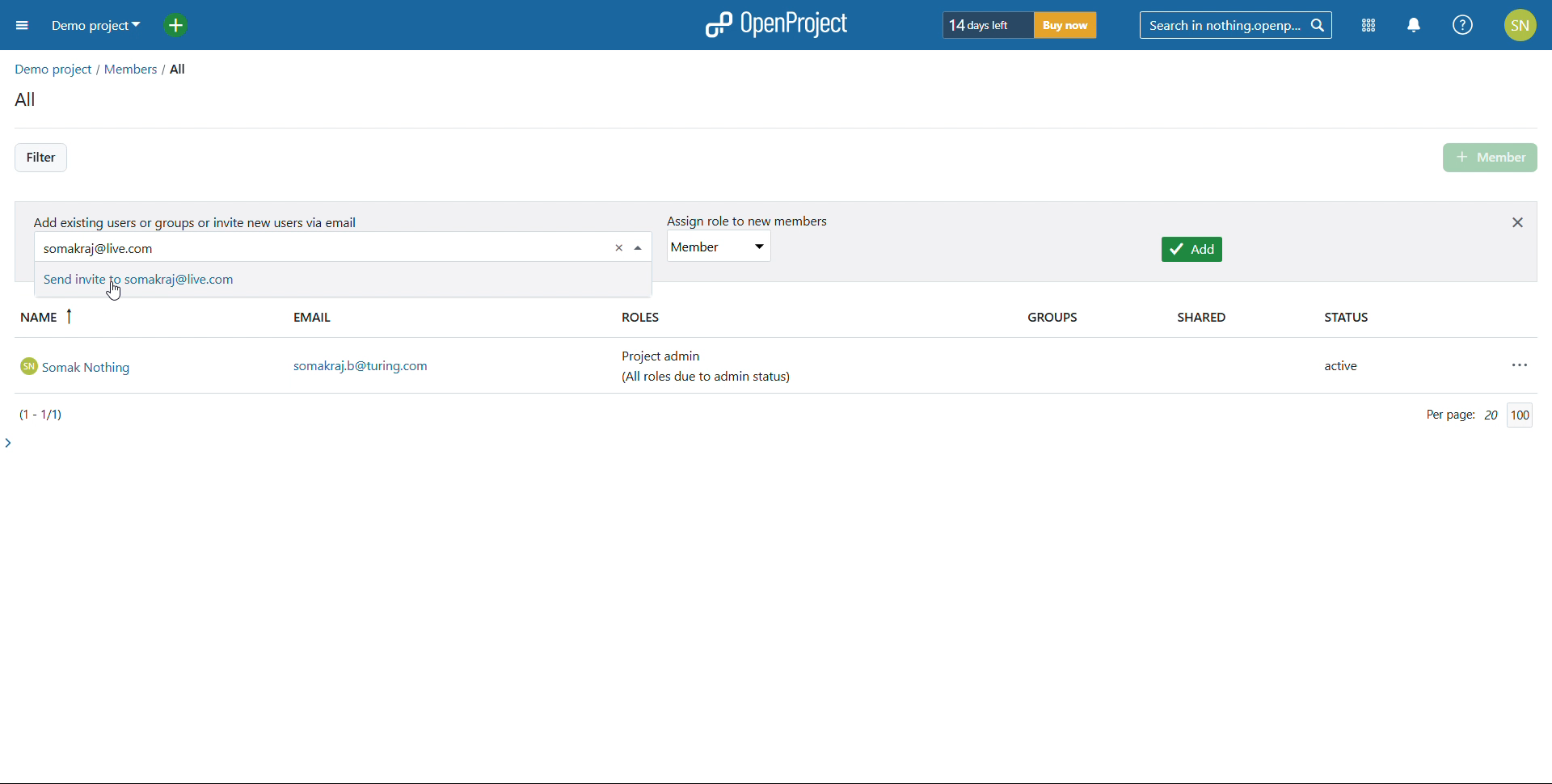 Image resolution: width=1552 pixels, height=784 pixels. Describe the element at coordinates (805, 318) in the screenshot. I see `roles` at that location.